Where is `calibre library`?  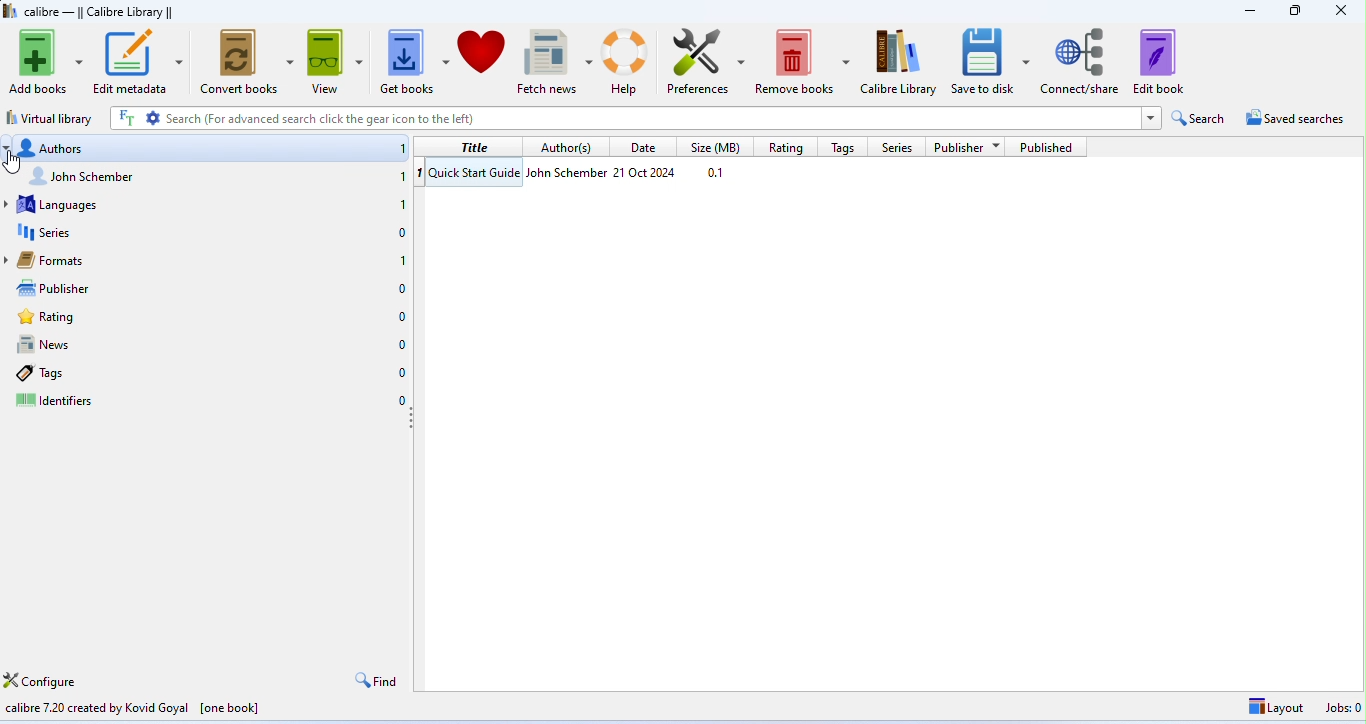
calibre library is located at coordinates (899, 61).